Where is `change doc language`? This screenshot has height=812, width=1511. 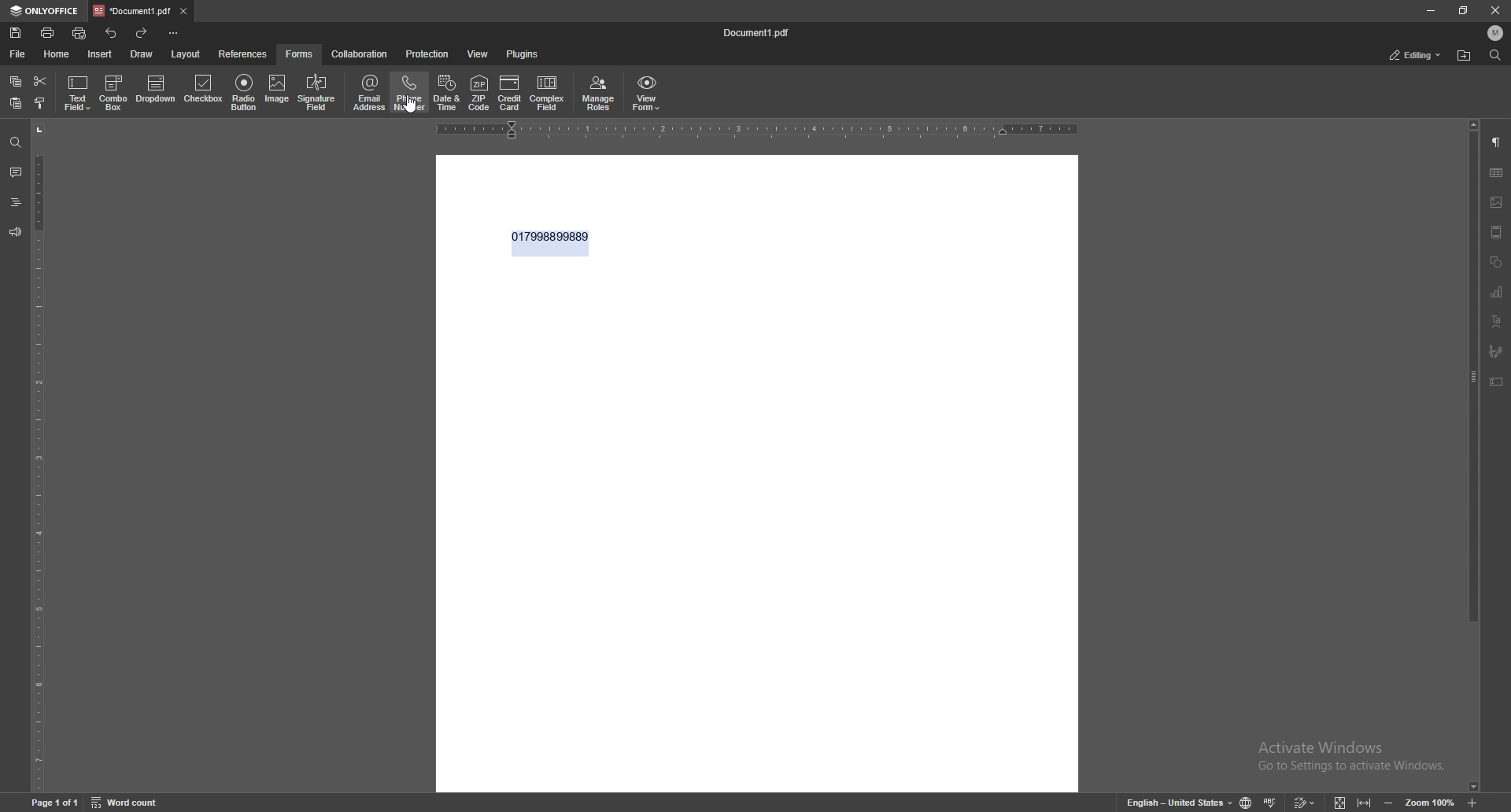
change doc language is located at coordinates (1247, 803).